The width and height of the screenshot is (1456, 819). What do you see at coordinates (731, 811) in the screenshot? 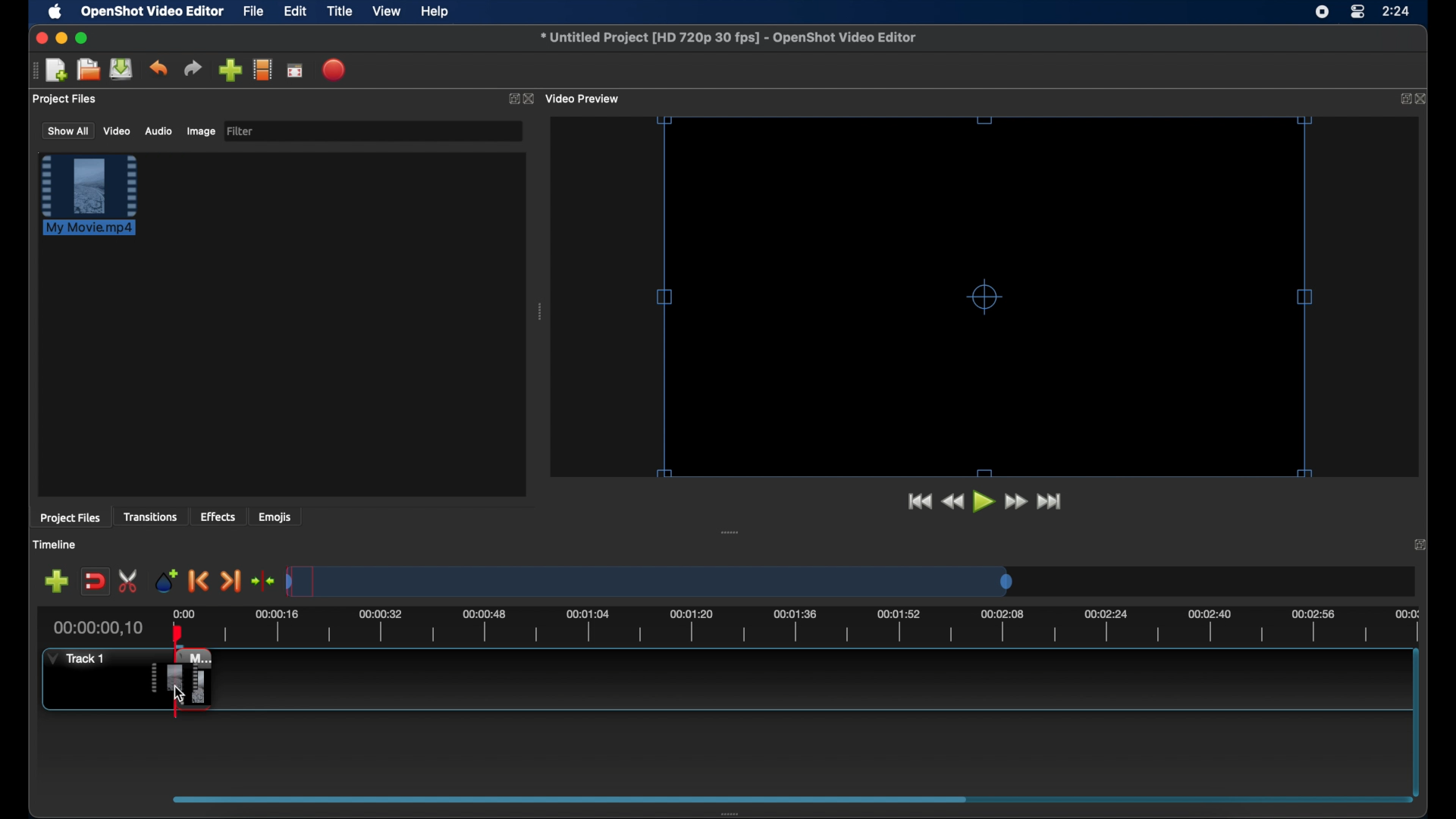
I see `drag handle` at bounding box center [731, 811].